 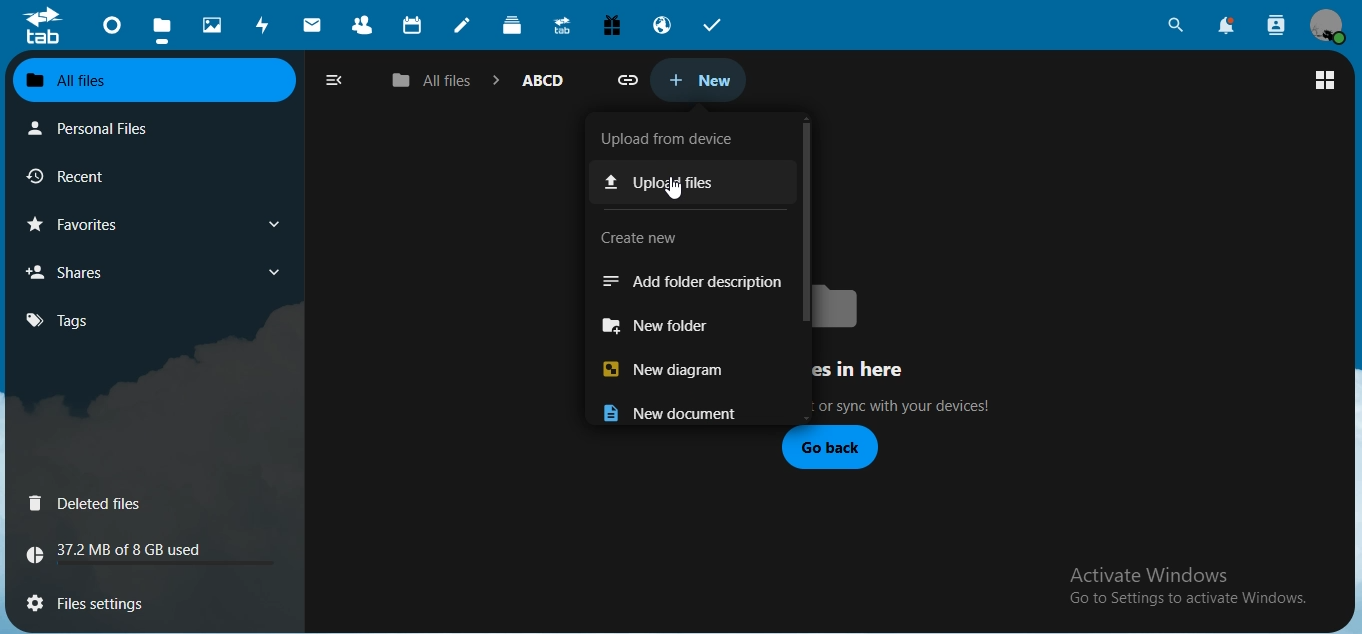 I want to click on xt, so click(x=672, y=136).